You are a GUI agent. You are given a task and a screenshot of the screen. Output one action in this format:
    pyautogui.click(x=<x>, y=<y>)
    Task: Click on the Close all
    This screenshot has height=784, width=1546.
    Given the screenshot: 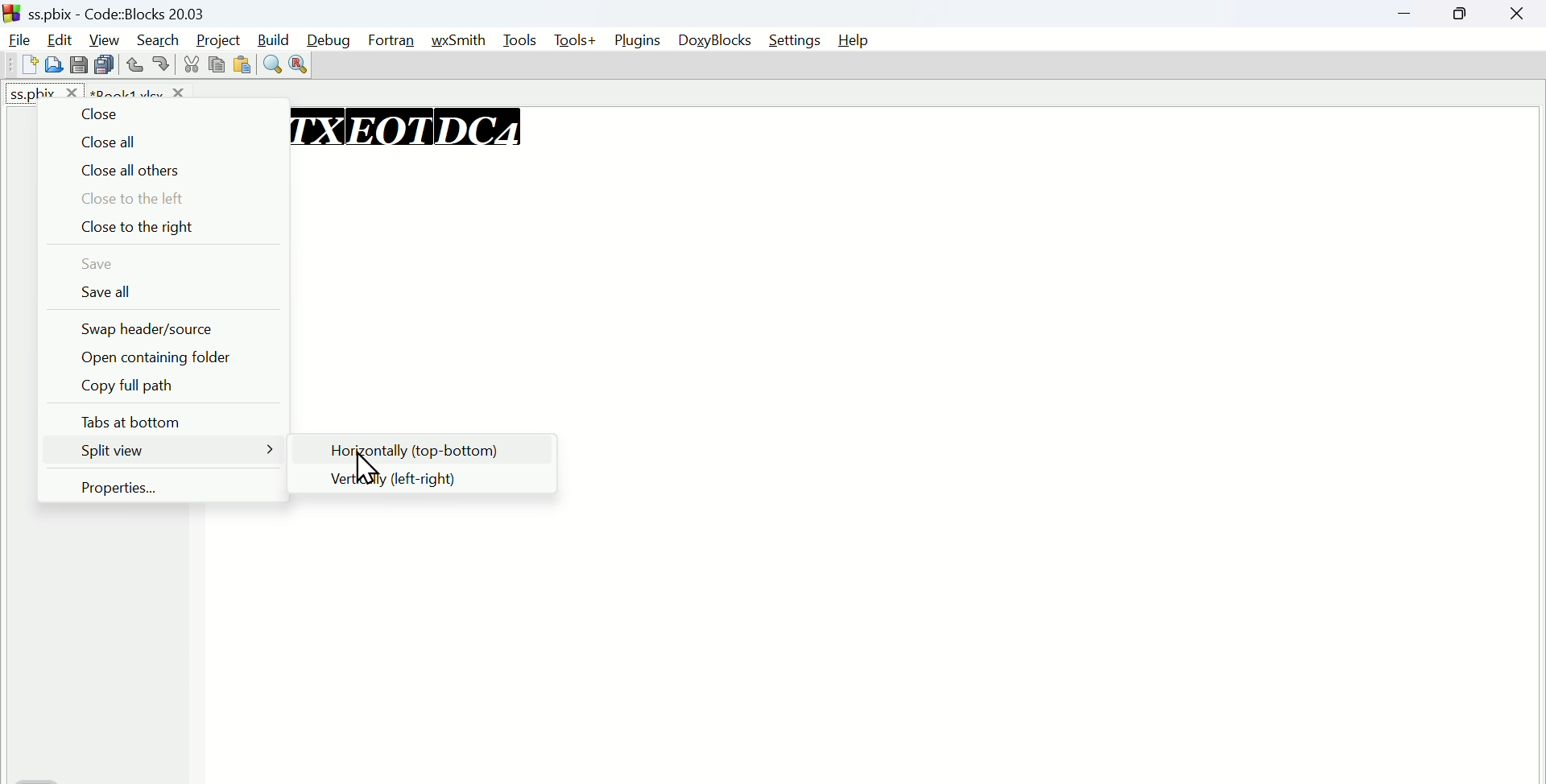 What is the action you would take?
    pyautogui.click(x=159, y=142)
    